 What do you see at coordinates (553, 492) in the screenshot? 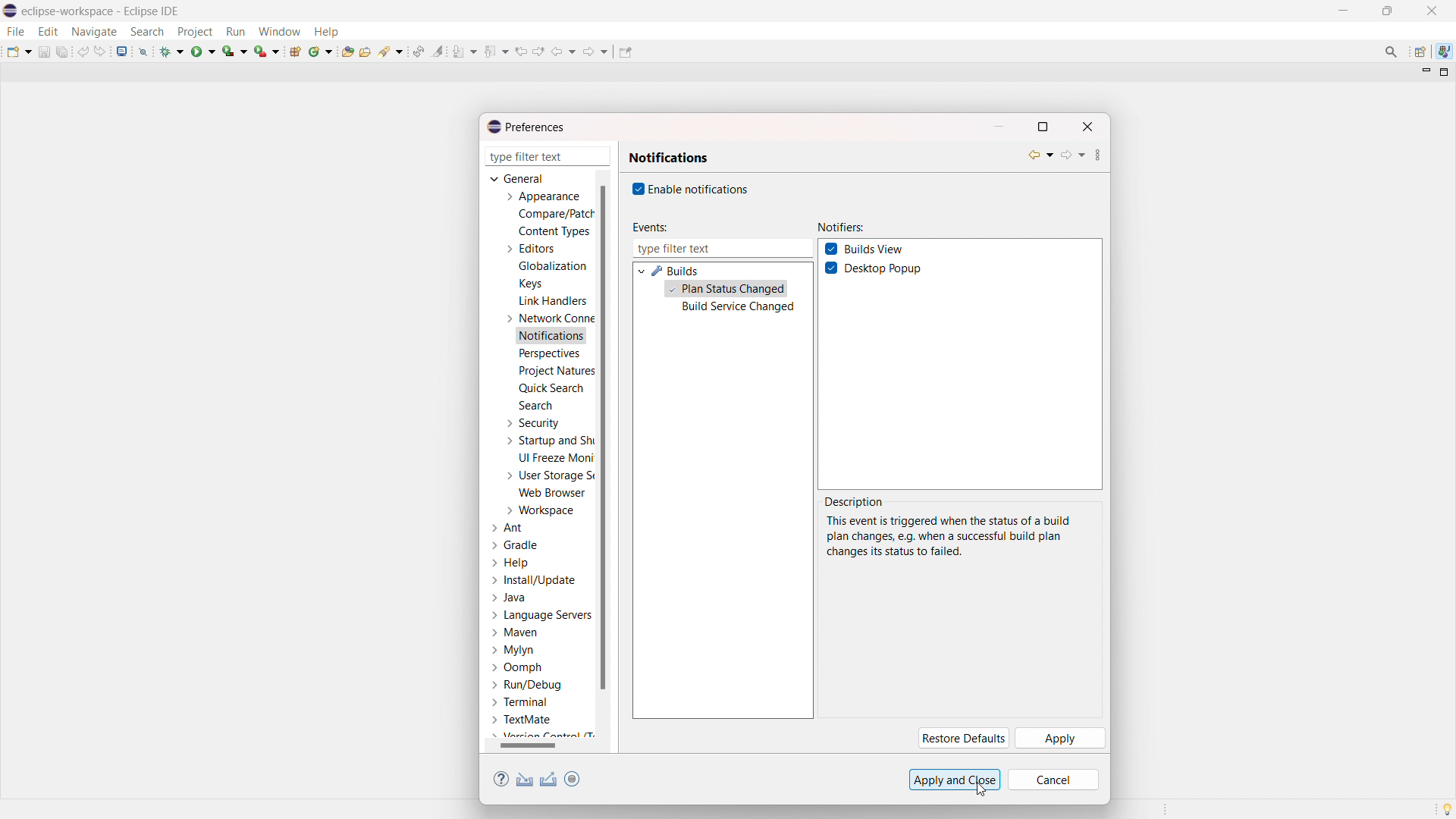
I see `web browser` at bounding box center [553, 492].